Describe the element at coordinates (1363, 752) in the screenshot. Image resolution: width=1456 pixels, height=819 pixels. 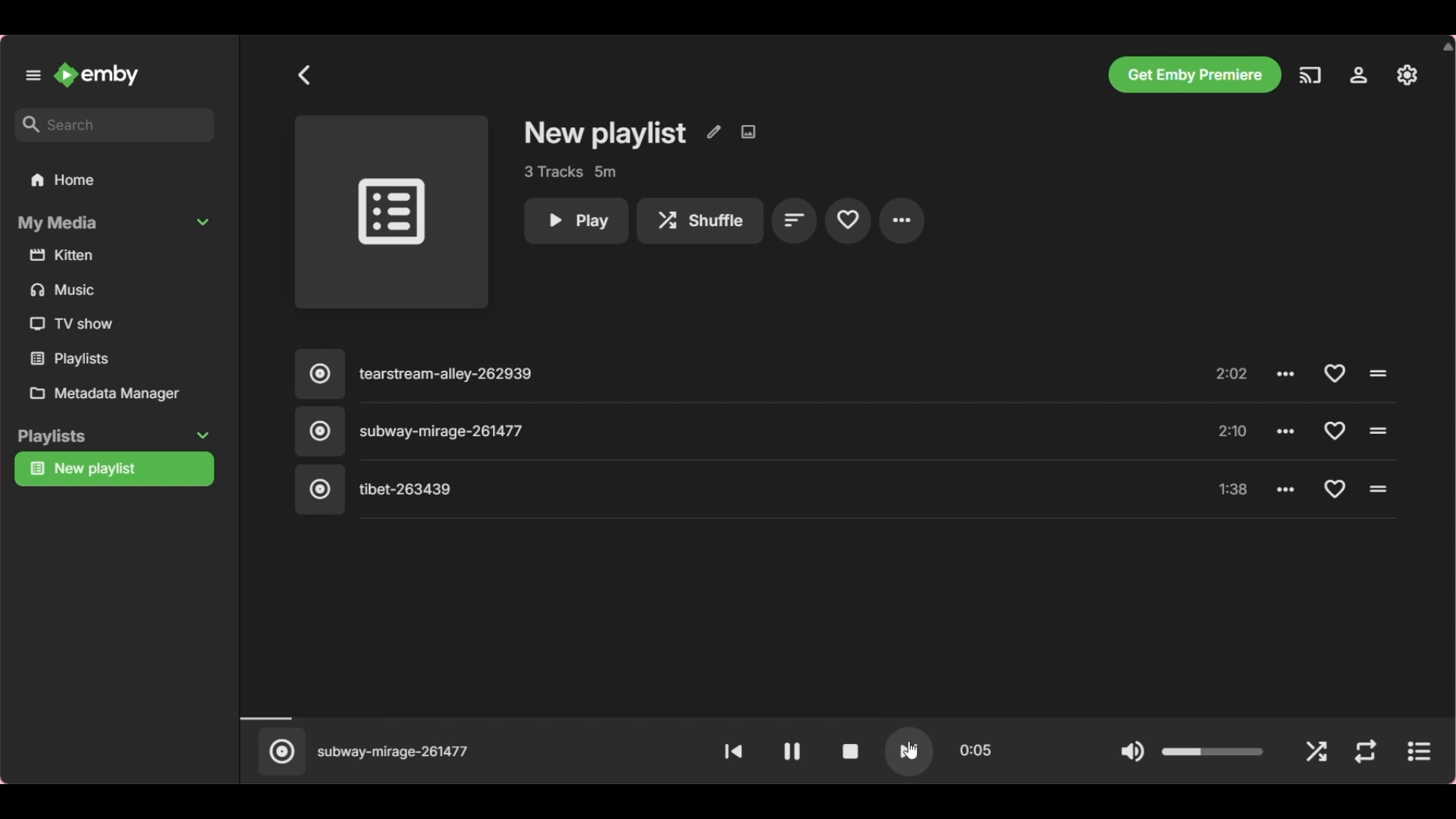
I see `Repeat mode` at that location.